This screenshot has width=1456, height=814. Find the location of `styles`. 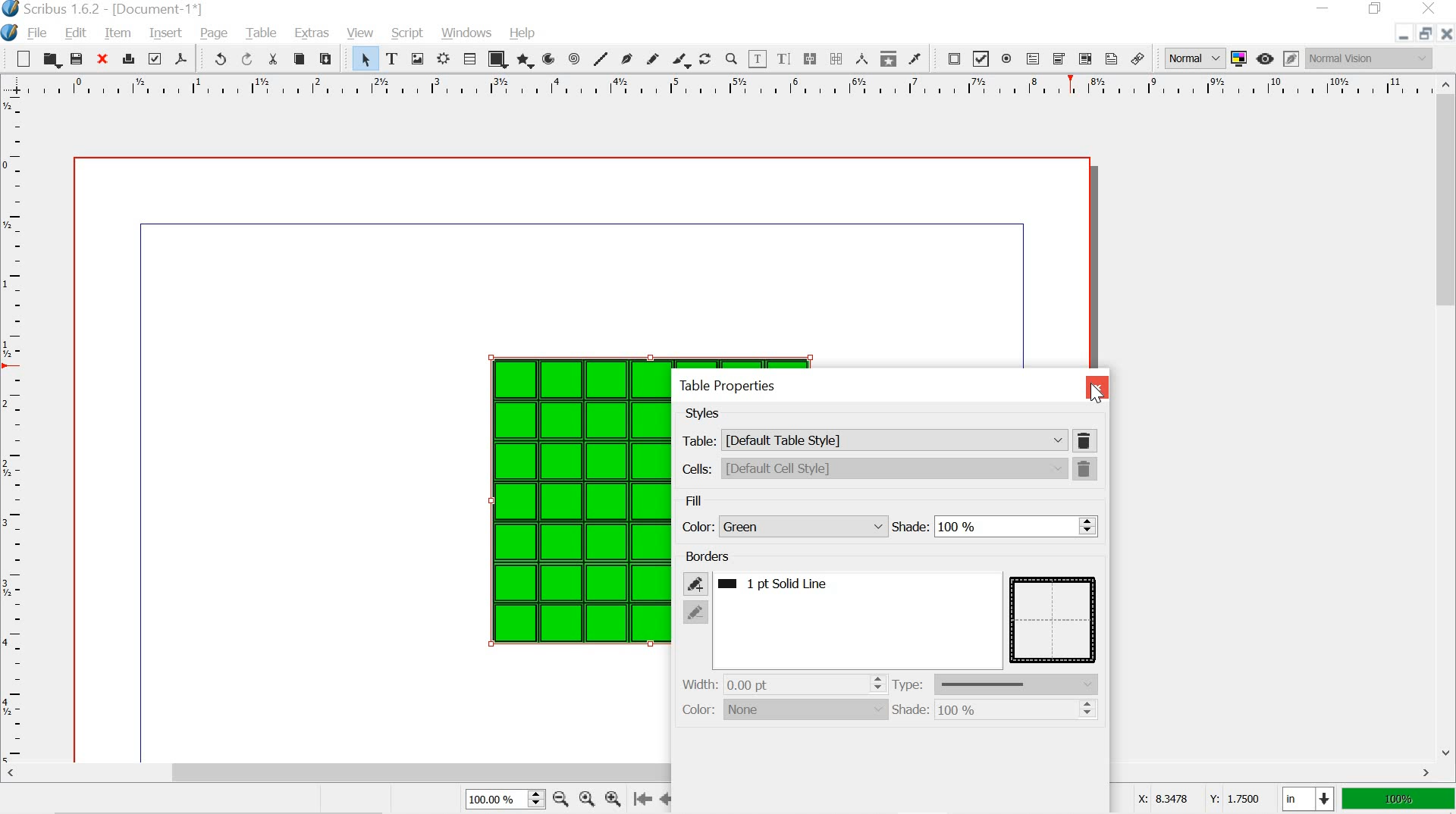

styles is located at coordinates (704, 414).